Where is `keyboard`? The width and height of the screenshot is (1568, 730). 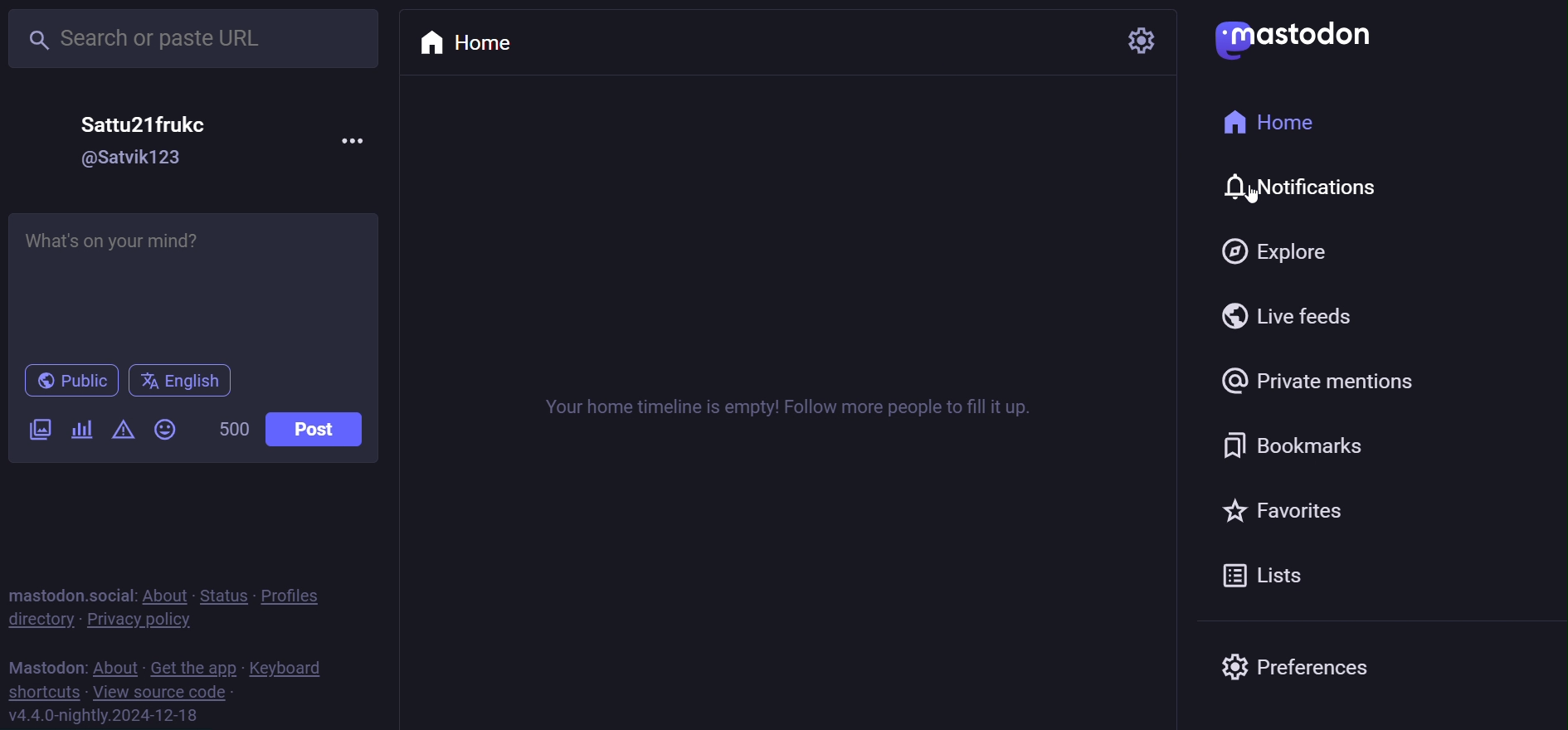
keyboard is located at coordinates (289, 668).